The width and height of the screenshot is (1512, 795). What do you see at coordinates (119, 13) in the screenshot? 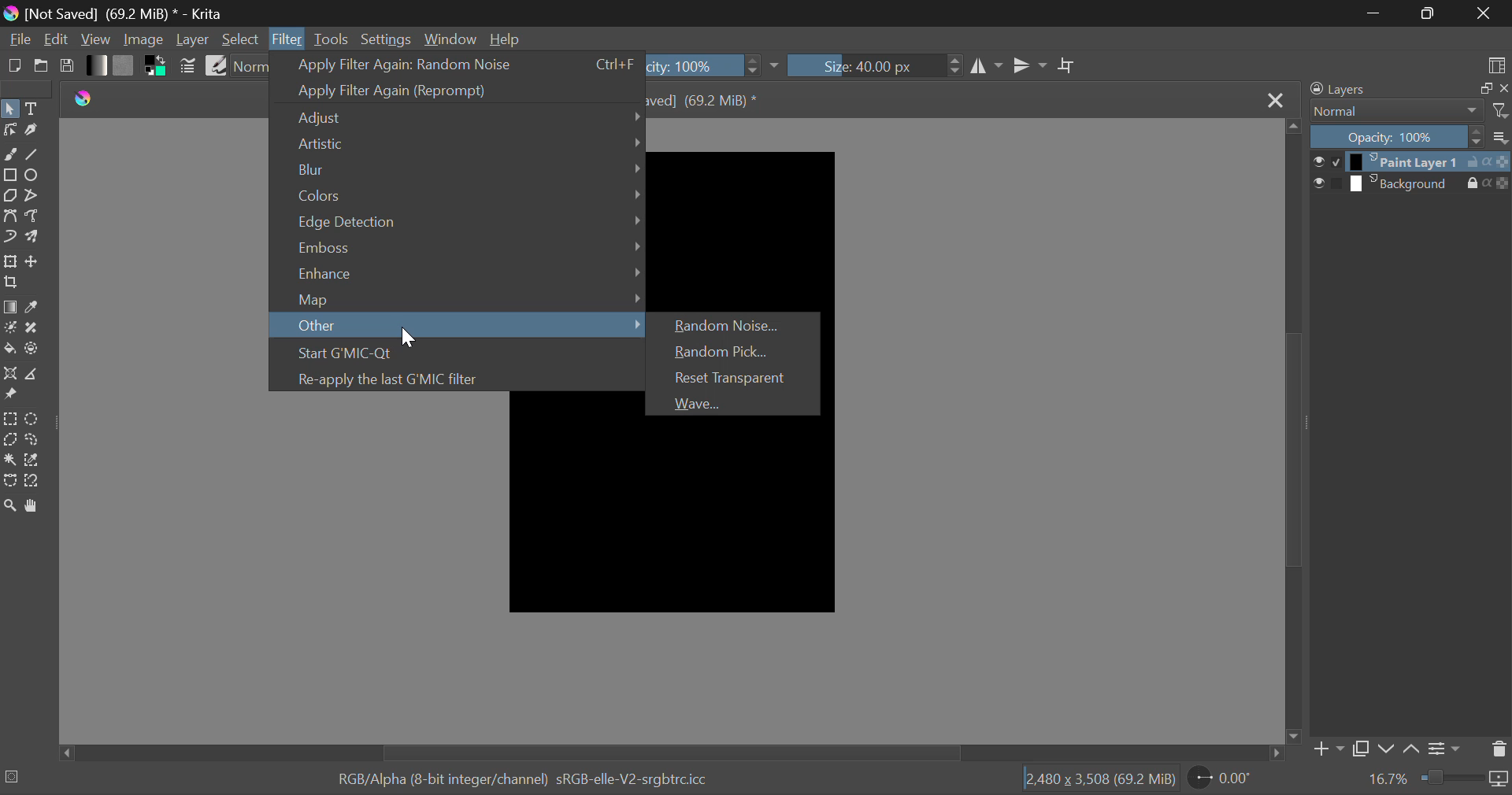
I see `[not saved] (69.2 mib)* - krita` at bounding box center [119, 13].